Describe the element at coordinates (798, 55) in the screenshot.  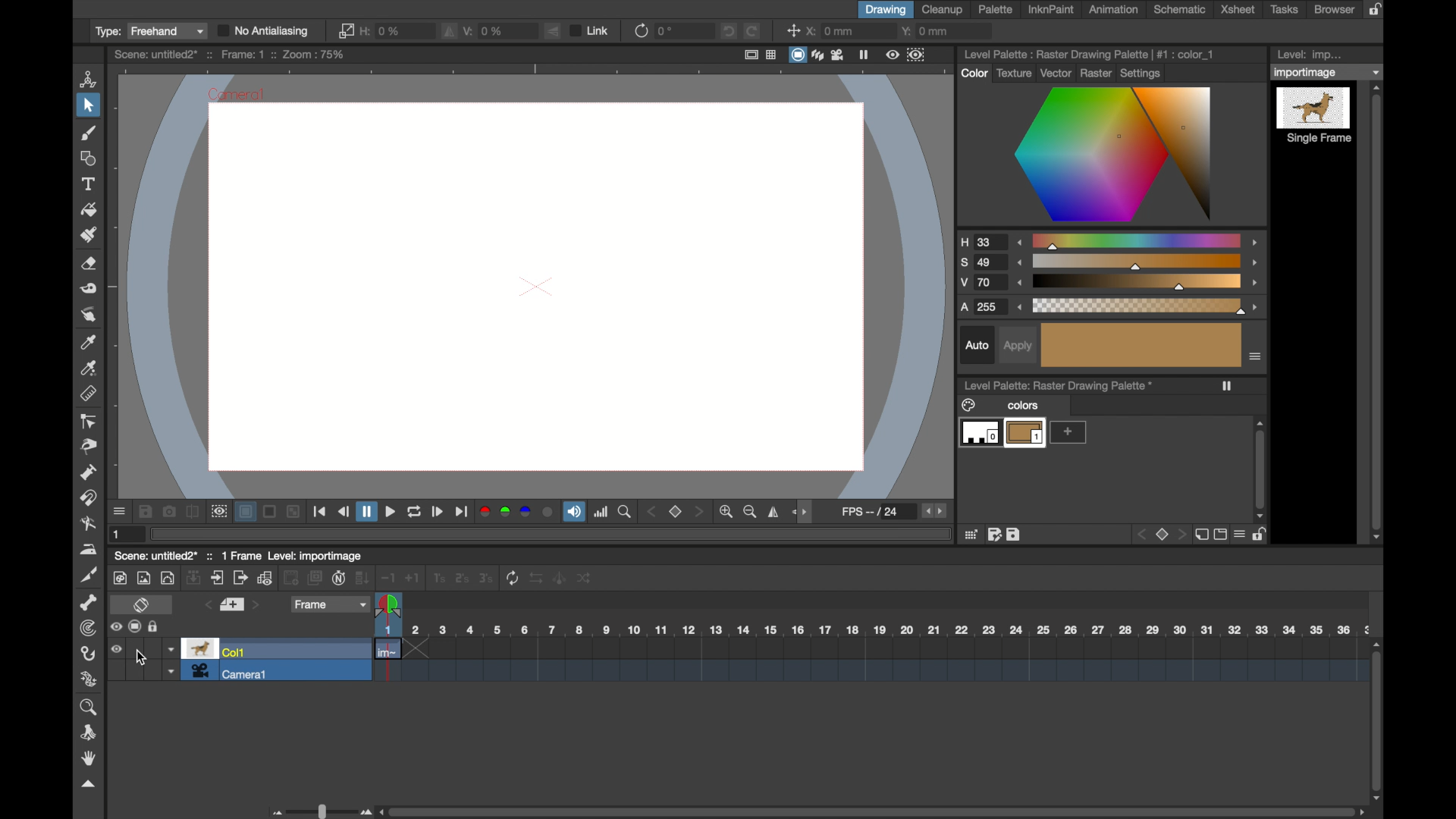
I see `screen` at that location.